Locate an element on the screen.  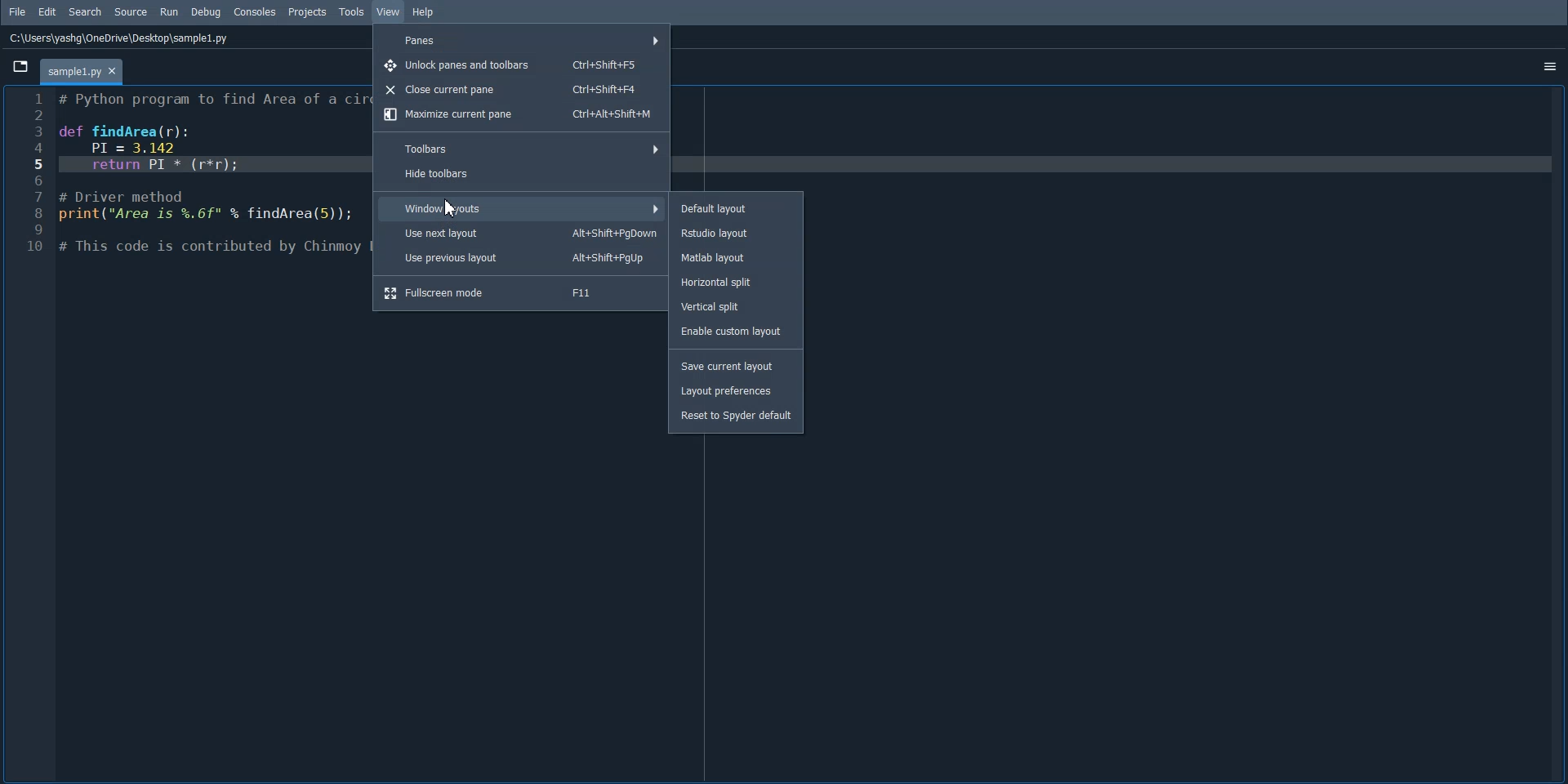
Edit is located at coordinates (48, 11).